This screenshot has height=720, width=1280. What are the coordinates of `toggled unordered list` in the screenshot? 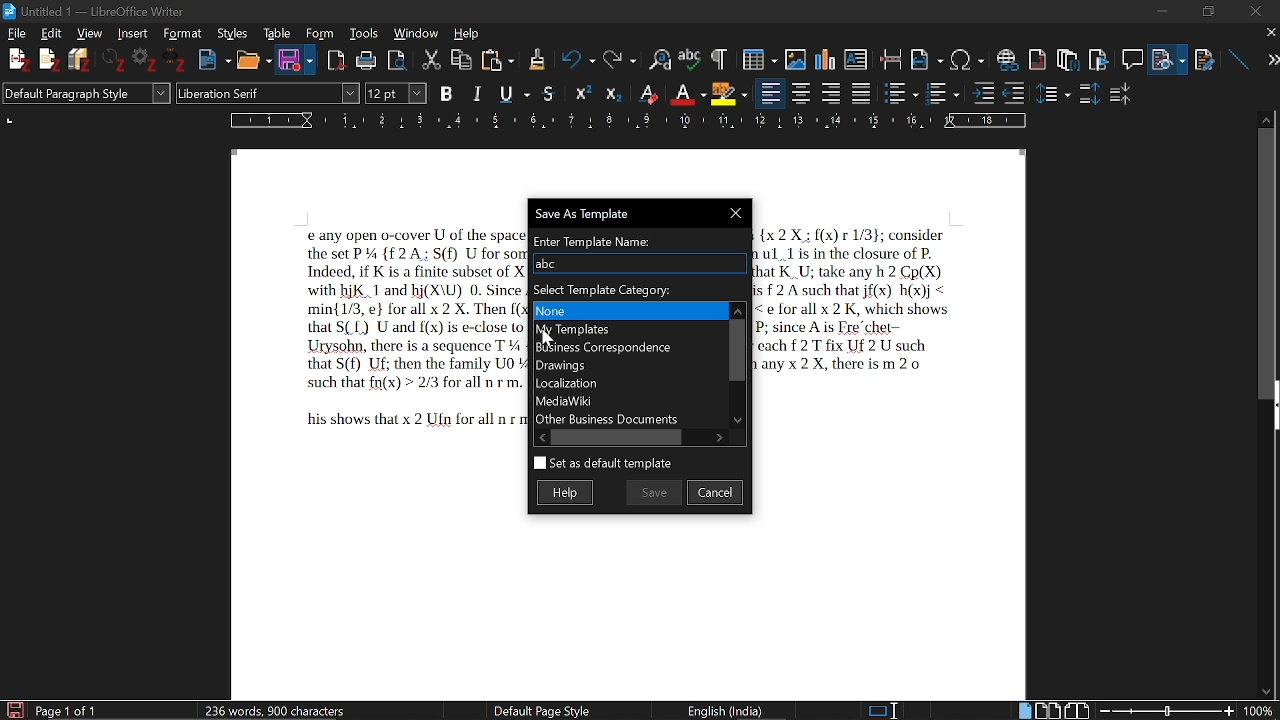 It's located at (901, 93).